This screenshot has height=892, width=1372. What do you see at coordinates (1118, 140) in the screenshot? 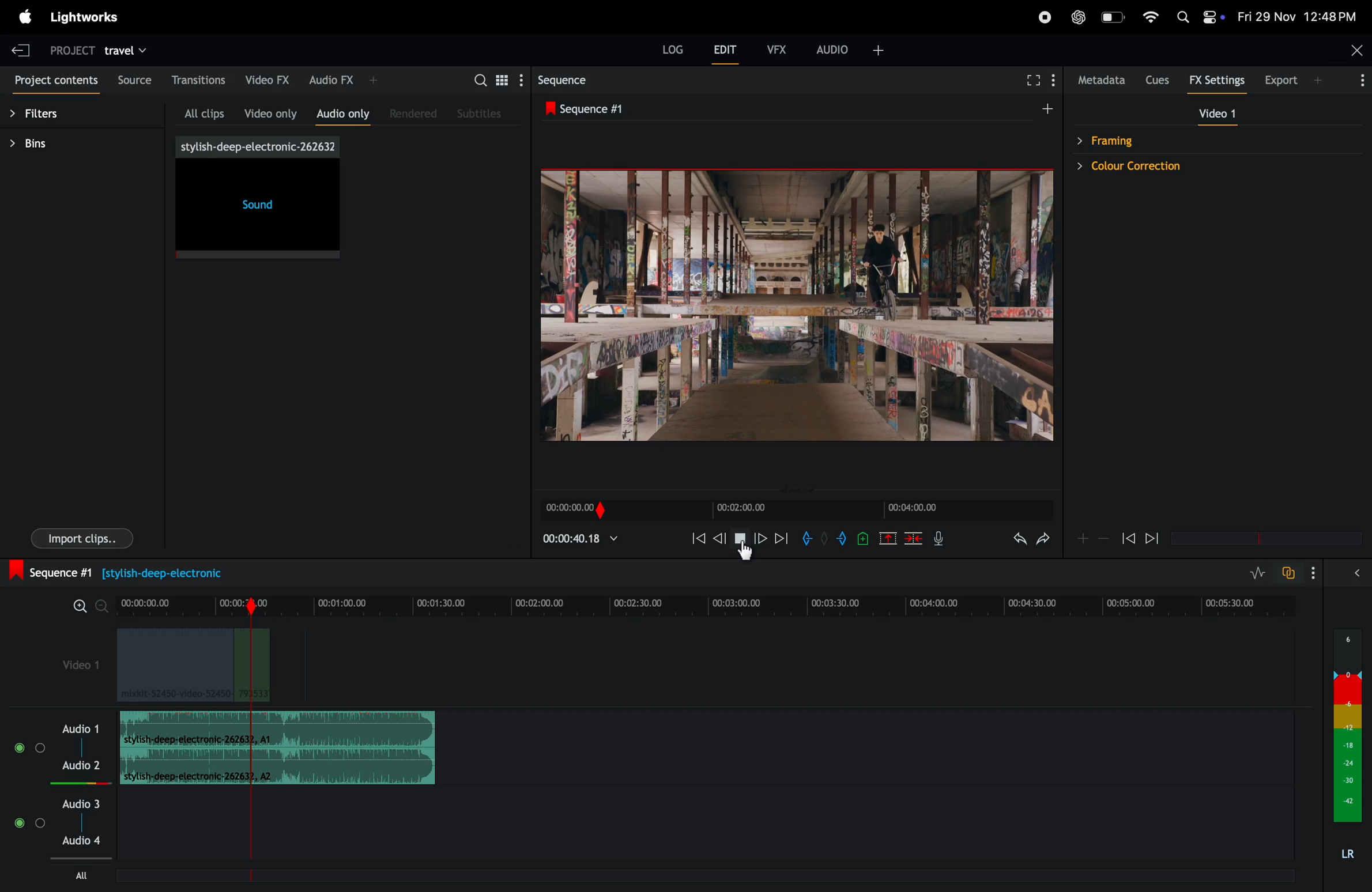
I see `framing` at bounding box center [1118, 140].